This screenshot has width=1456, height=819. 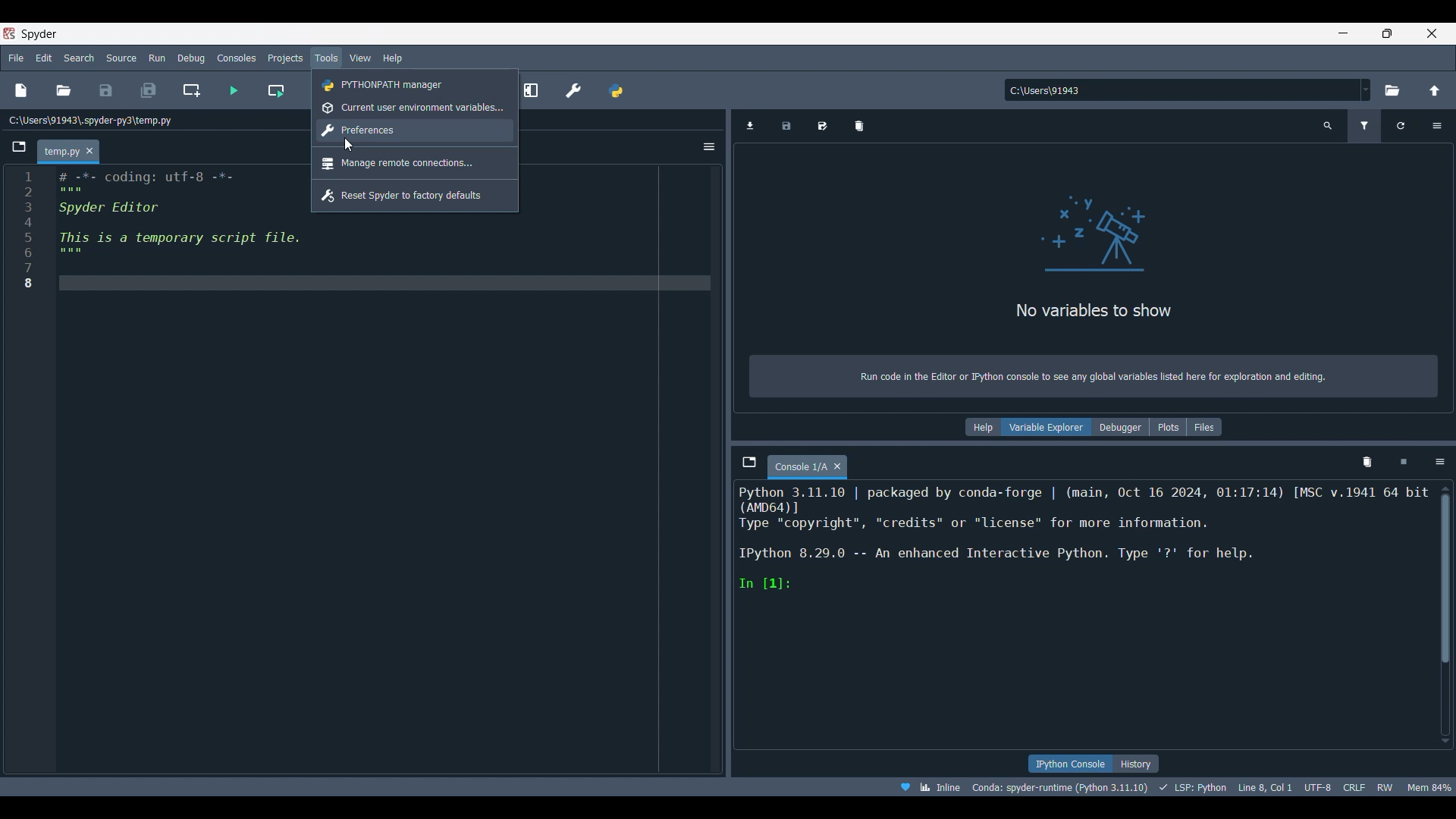 What do you see at coordinates (1354, 789) in the screenshot?
I see `CRLF` at bounding box center [1354, 789].